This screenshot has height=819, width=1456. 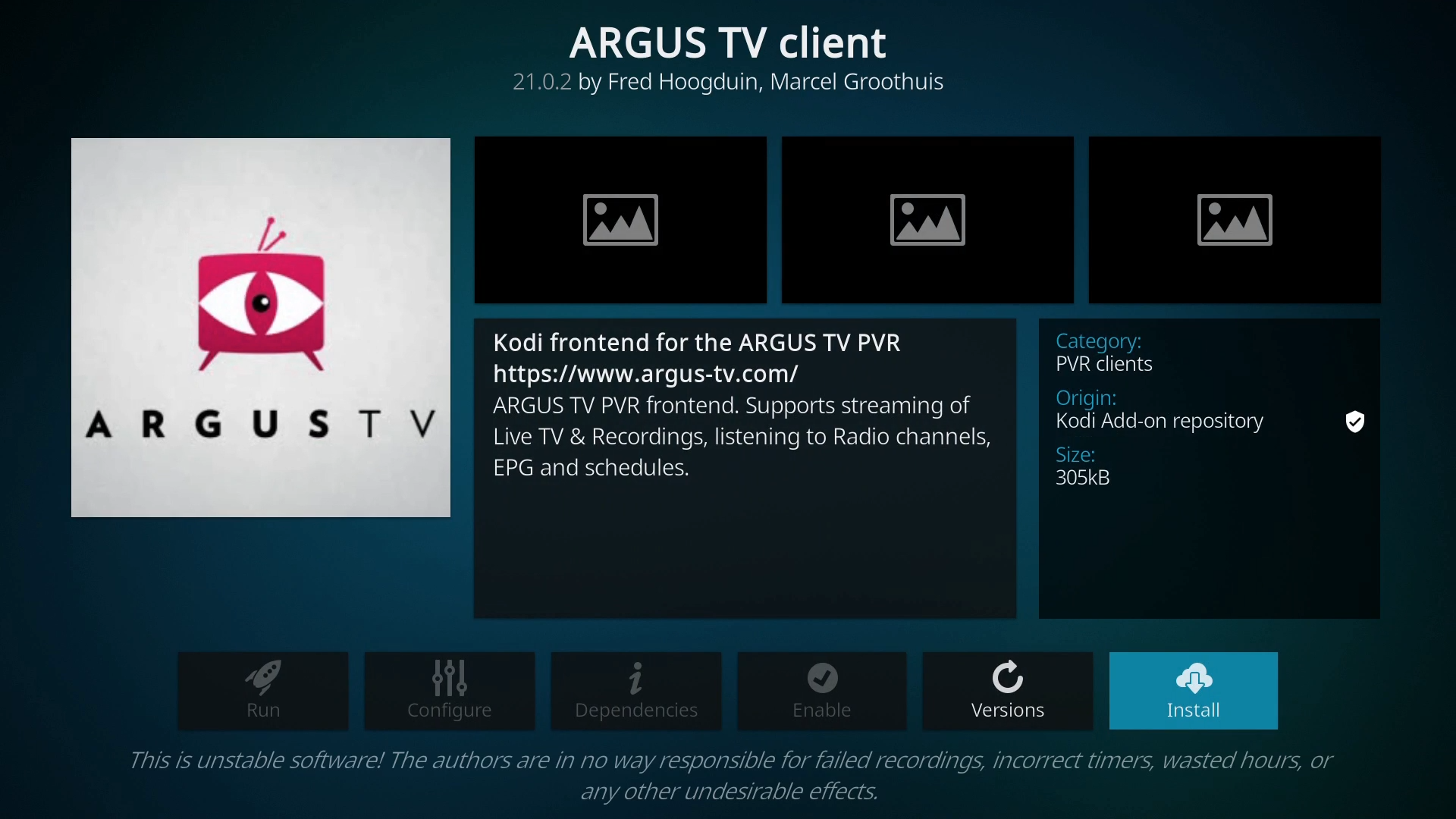 What do you see at coordinates (619, 221) in the screenshot?
I see `insert image` at bounding box center [619, 221].